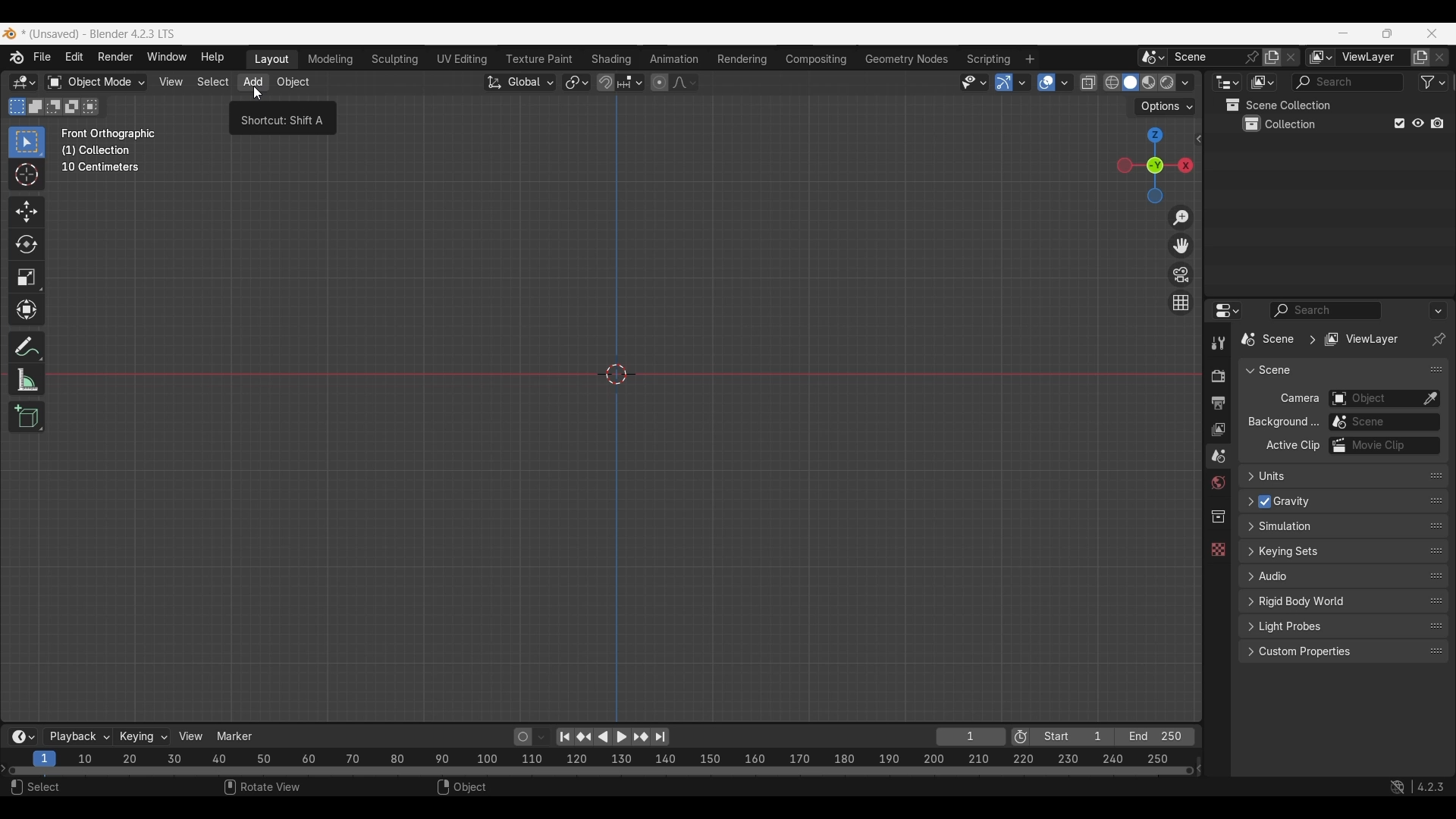 The image size is (1456, 819). Describe the element at coordinates (1112, 83) in the screenshot. I see `Viewport shading, wireframe` at that location.